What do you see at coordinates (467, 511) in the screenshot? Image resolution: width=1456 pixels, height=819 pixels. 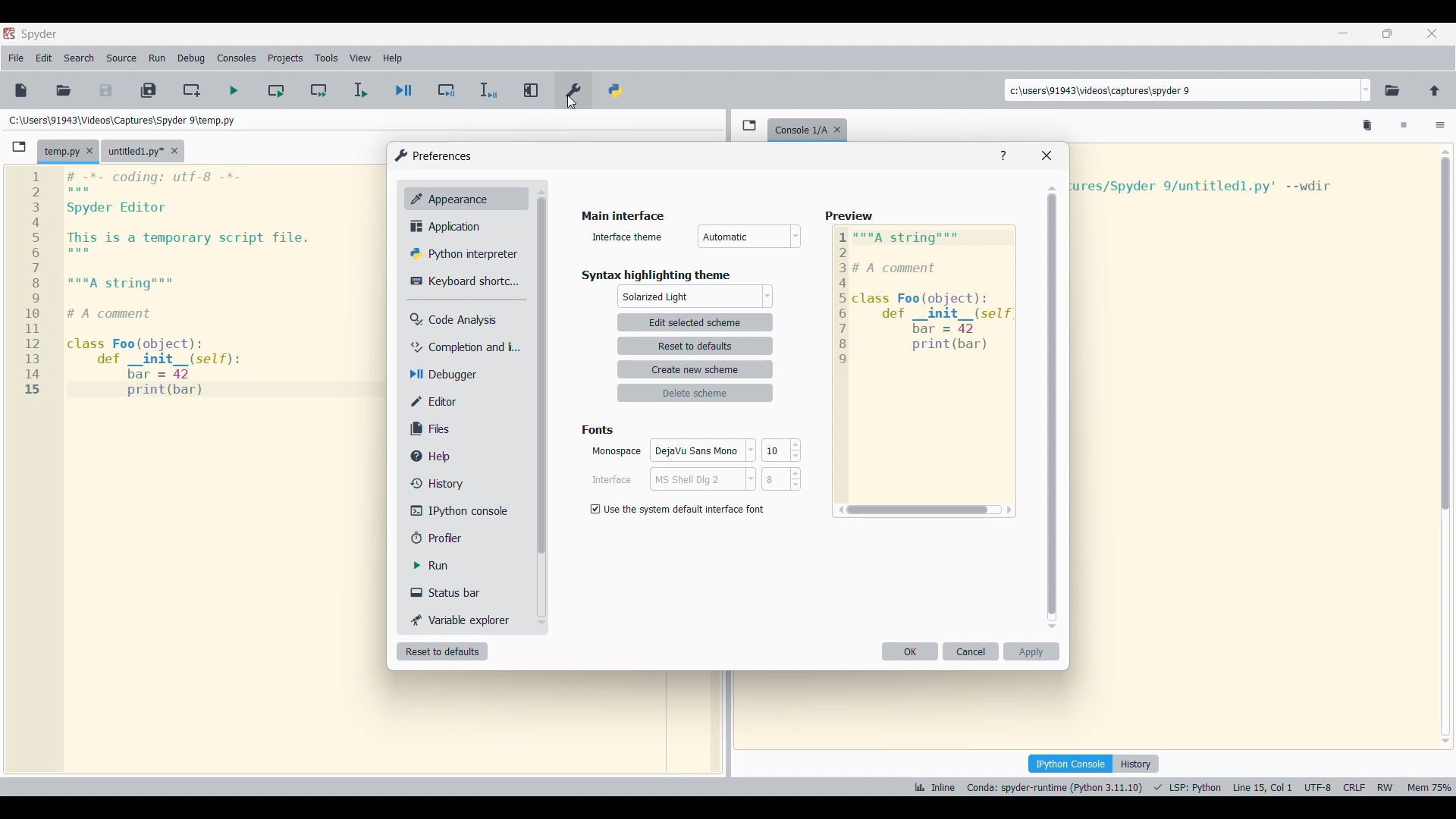 I see `IPython console` at bounding box center [467, 511].